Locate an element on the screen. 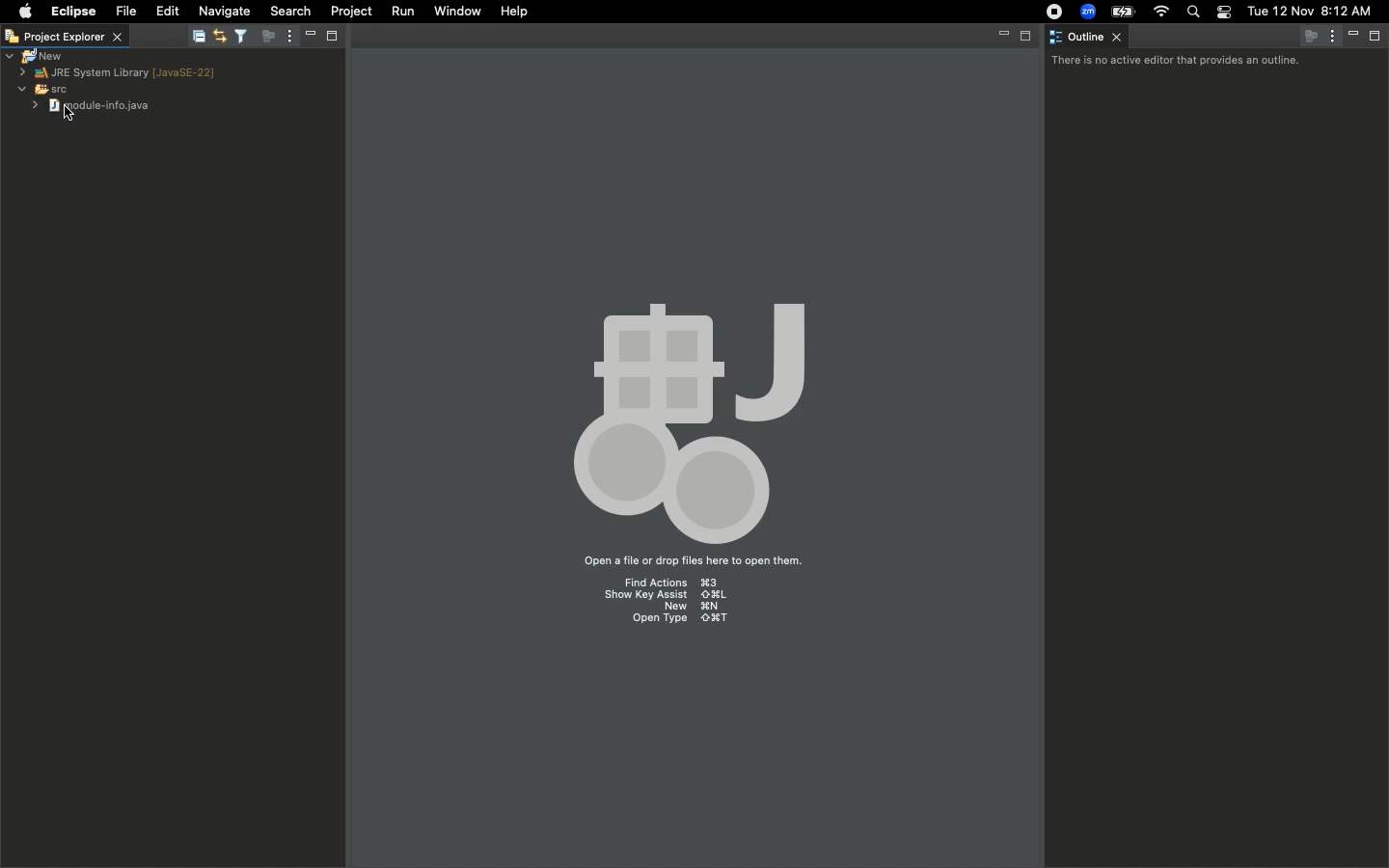 The height and width of the screenshot is (868, 1389). Recording is located at coordinates (1049, 12).